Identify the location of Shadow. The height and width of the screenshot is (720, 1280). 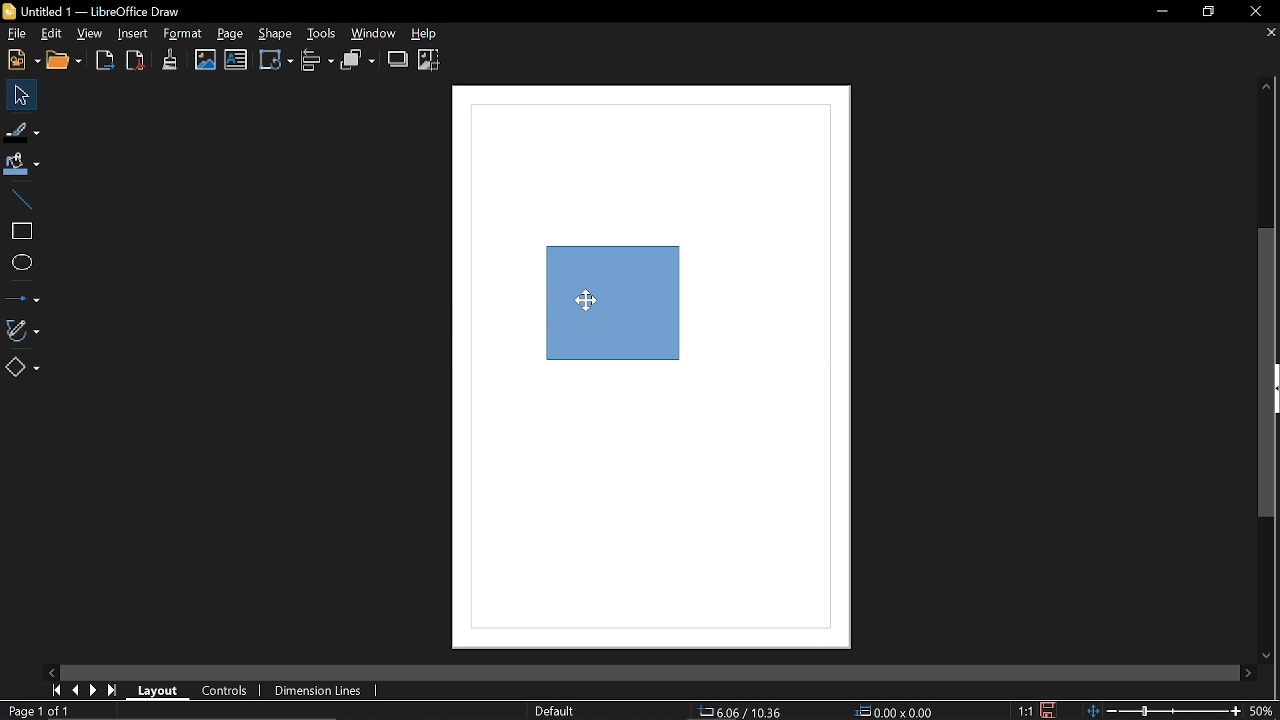
(398, 60).